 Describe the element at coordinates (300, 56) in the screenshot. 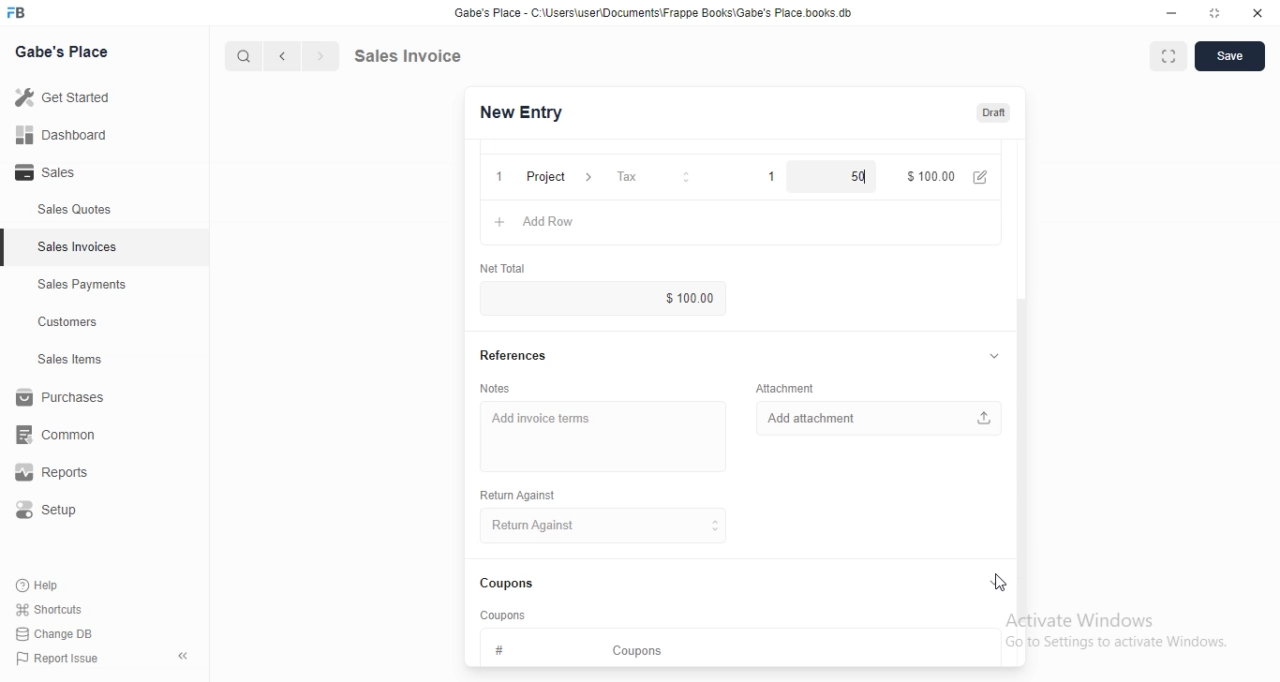

I see `forward/backward` at that location.